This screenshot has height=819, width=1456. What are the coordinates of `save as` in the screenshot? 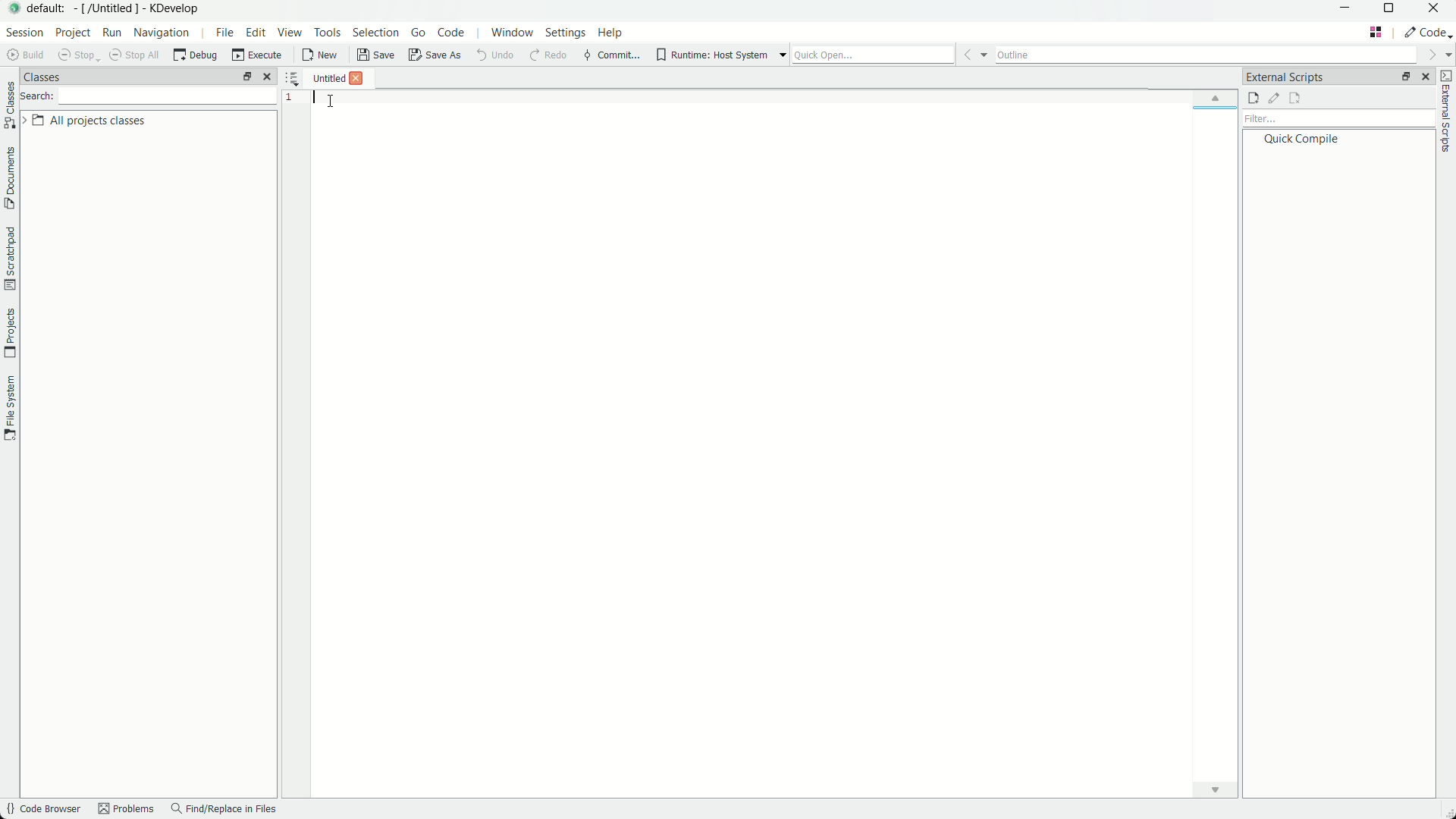 It's located at (438, 56).